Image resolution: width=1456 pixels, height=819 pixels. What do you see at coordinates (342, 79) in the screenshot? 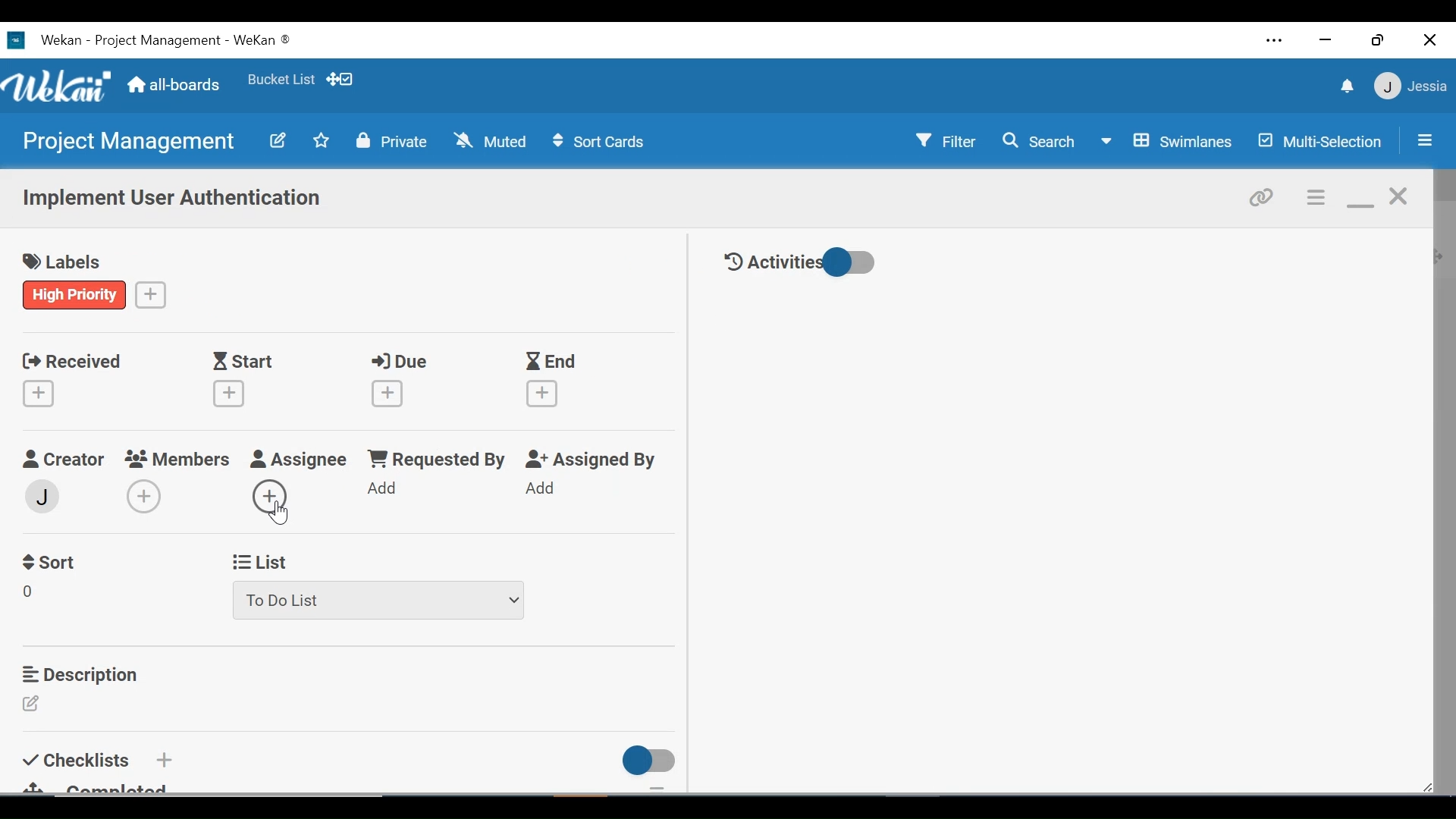
I see `Show Desktop drag handles` at bounding box center [342, 79].